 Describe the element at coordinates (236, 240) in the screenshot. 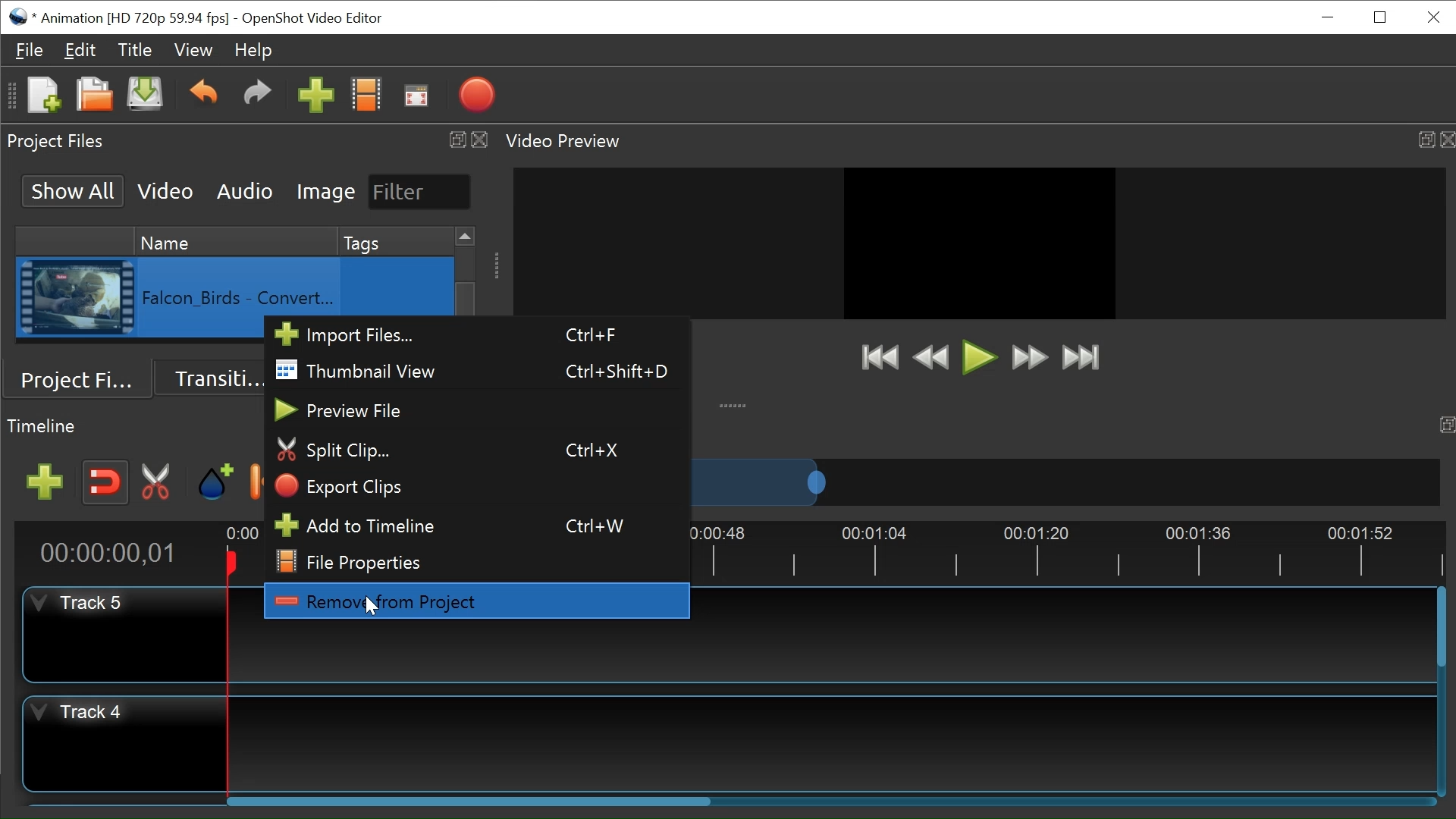

I see `Name` at that location.